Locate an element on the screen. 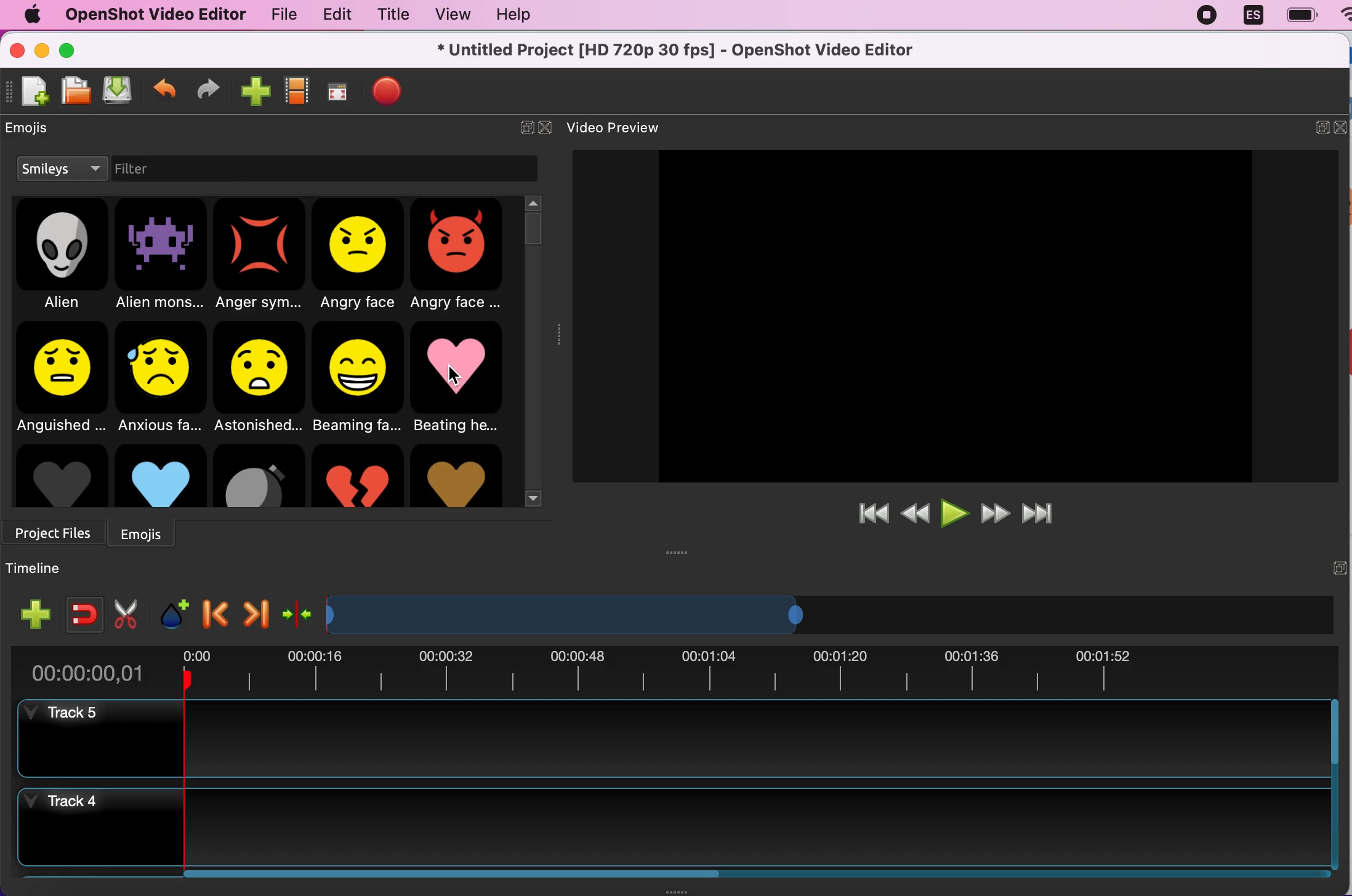 The height and width of the screenshot is (896, 1352). import files is located at coordinates (254, 89).